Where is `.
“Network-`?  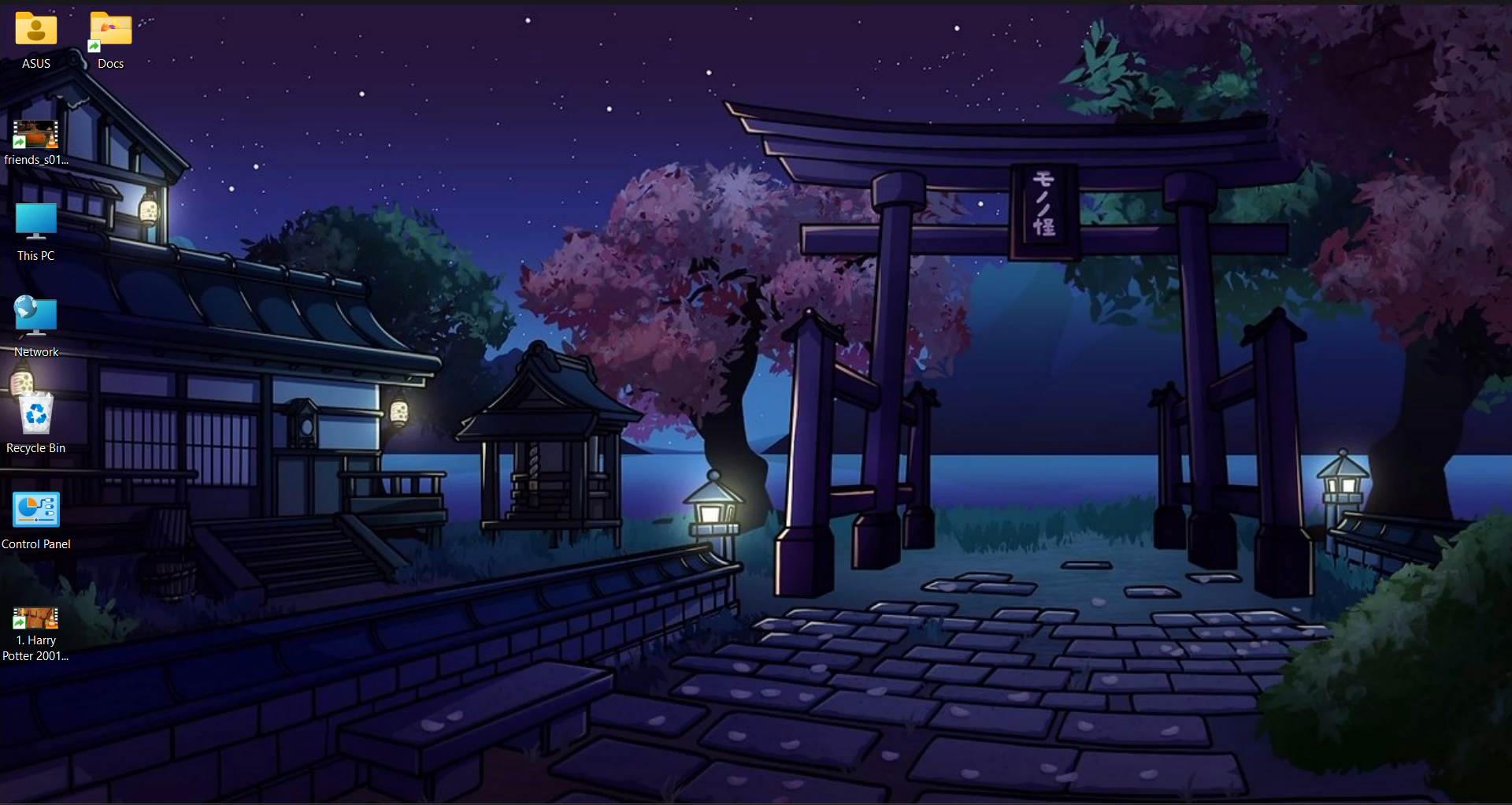
.
“Network- is located at coordinates (46, 328).